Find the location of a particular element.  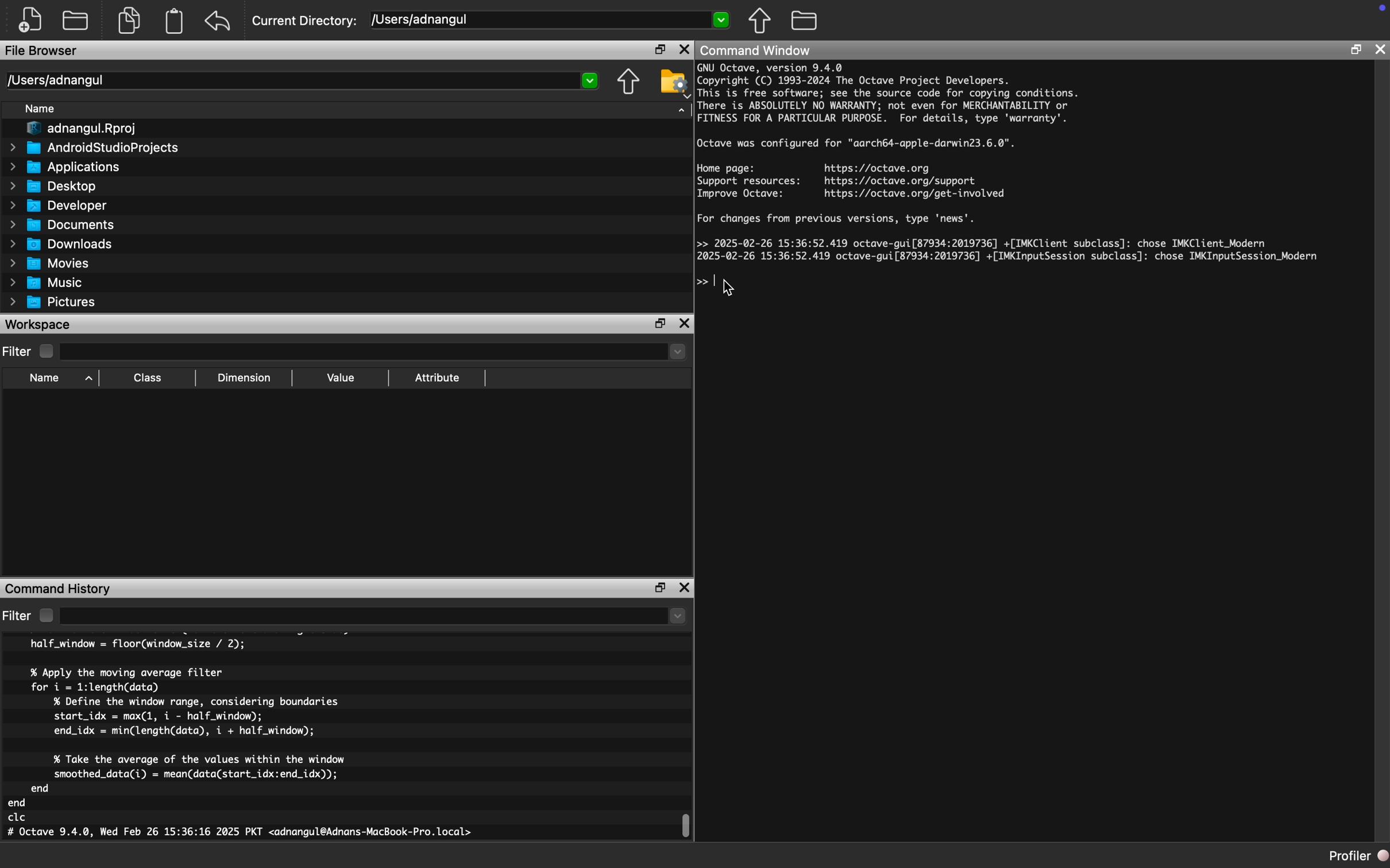

Restore Down is located at coordinates (662, 588).